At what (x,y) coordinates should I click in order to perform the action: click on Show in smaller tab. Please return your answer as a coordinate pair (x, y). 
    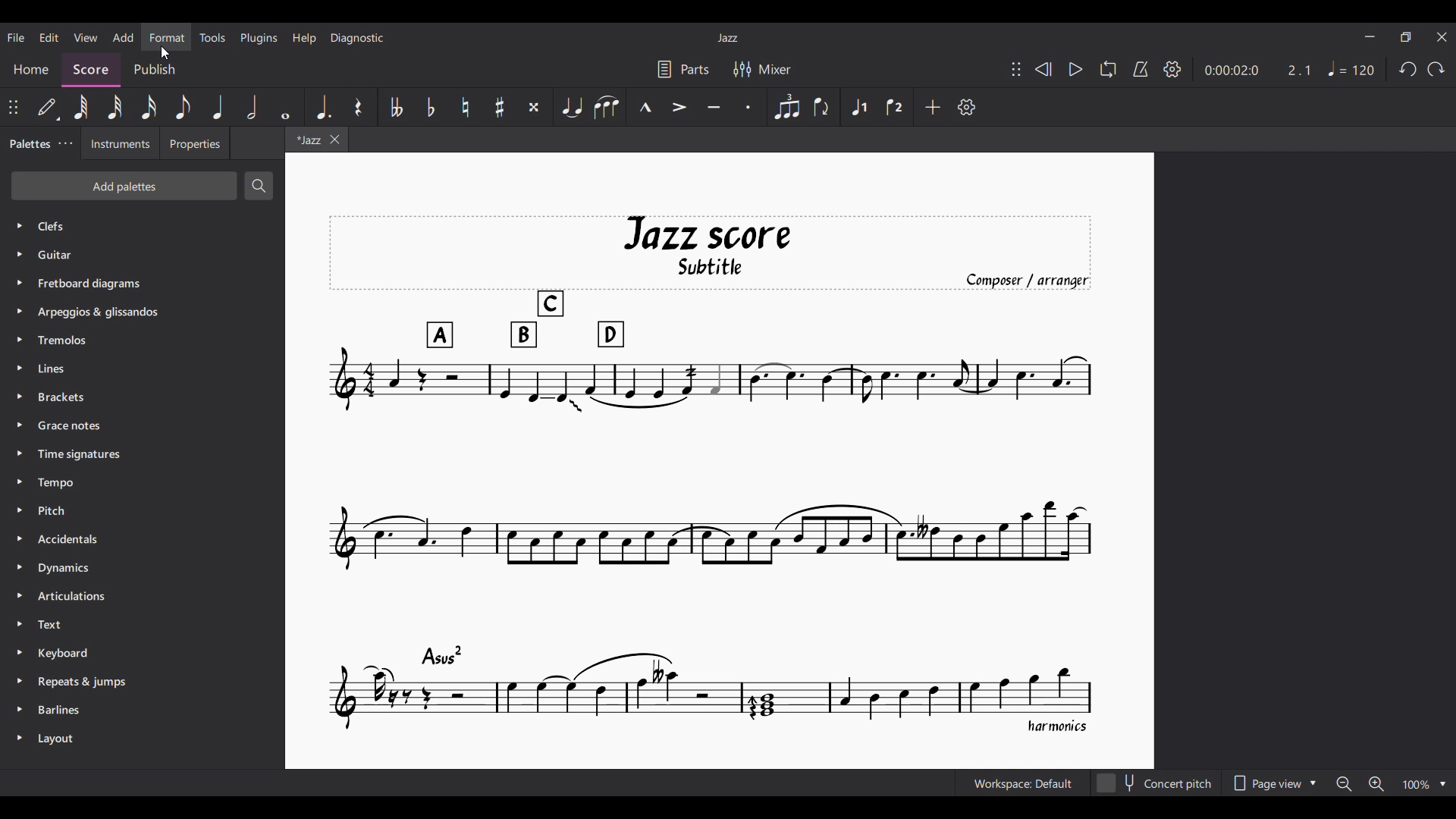
    Looking at the image, I should click on (1405, 37).